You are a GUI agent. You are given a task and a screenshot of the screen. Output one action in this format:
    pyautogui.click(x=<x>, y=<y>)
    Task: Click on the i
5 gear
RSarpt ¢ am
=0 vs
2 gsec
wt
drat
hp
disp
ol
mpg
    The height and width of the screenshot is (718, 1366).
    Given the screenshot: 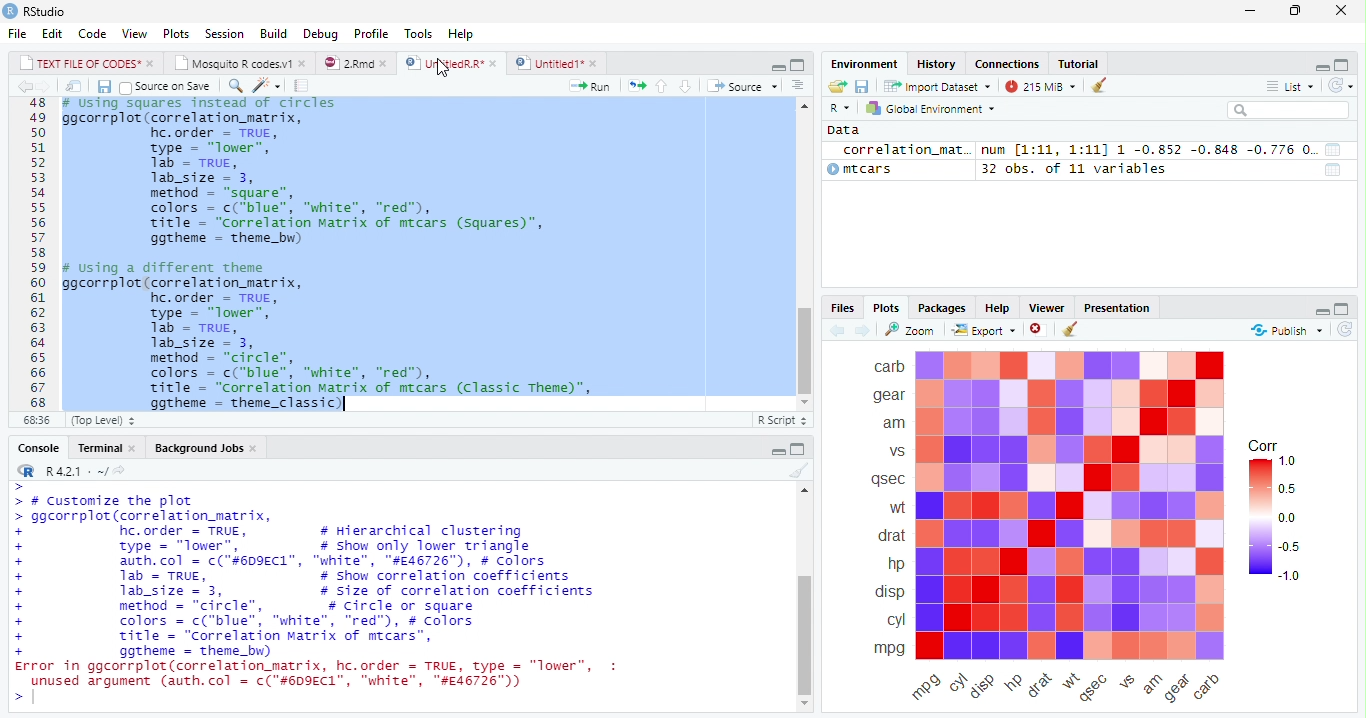 What is the action you would take?
    pyautogui.click(x=886, y=505)
    